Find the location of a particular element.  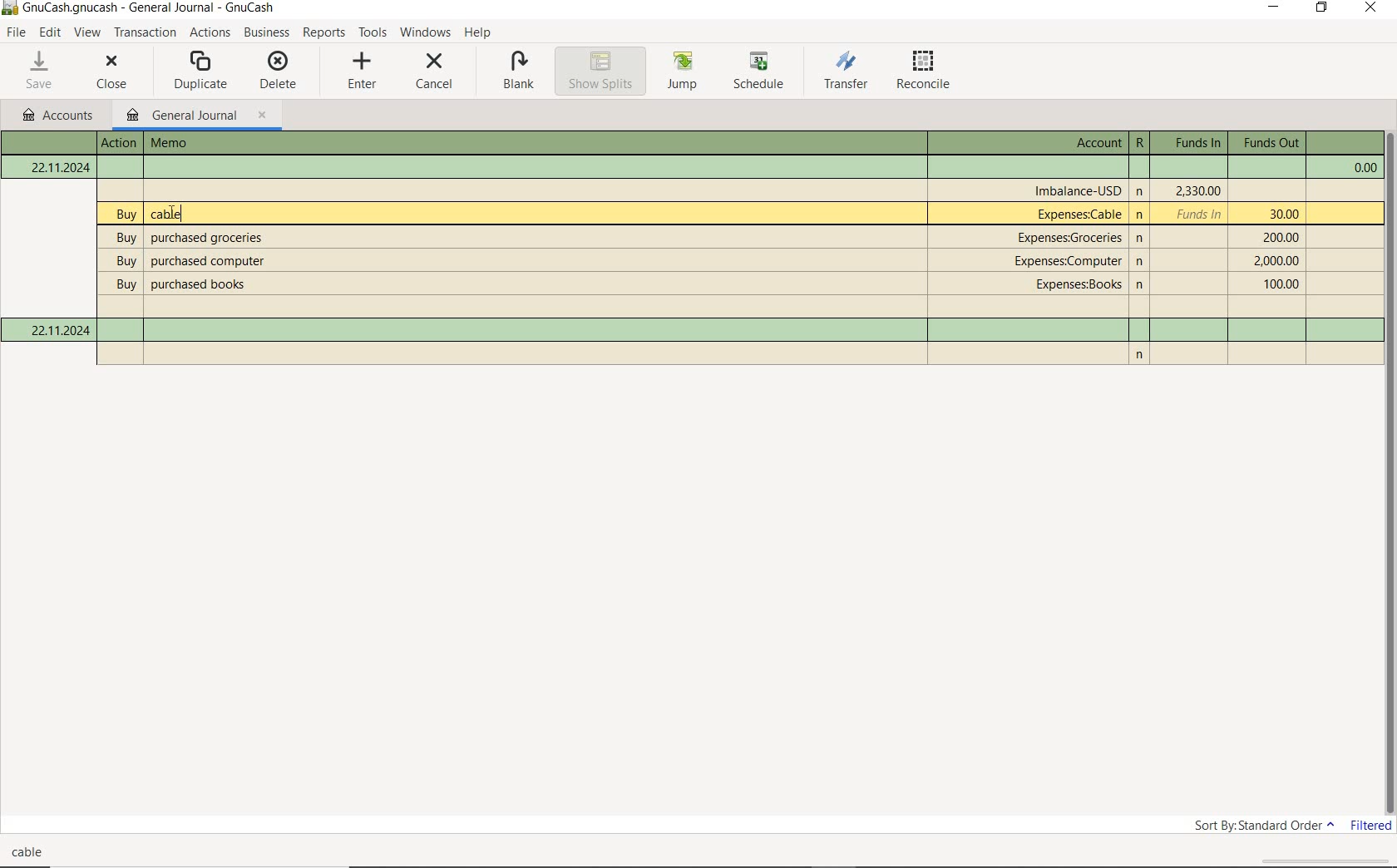

WINDOWS is located at coordinates (426, 32).